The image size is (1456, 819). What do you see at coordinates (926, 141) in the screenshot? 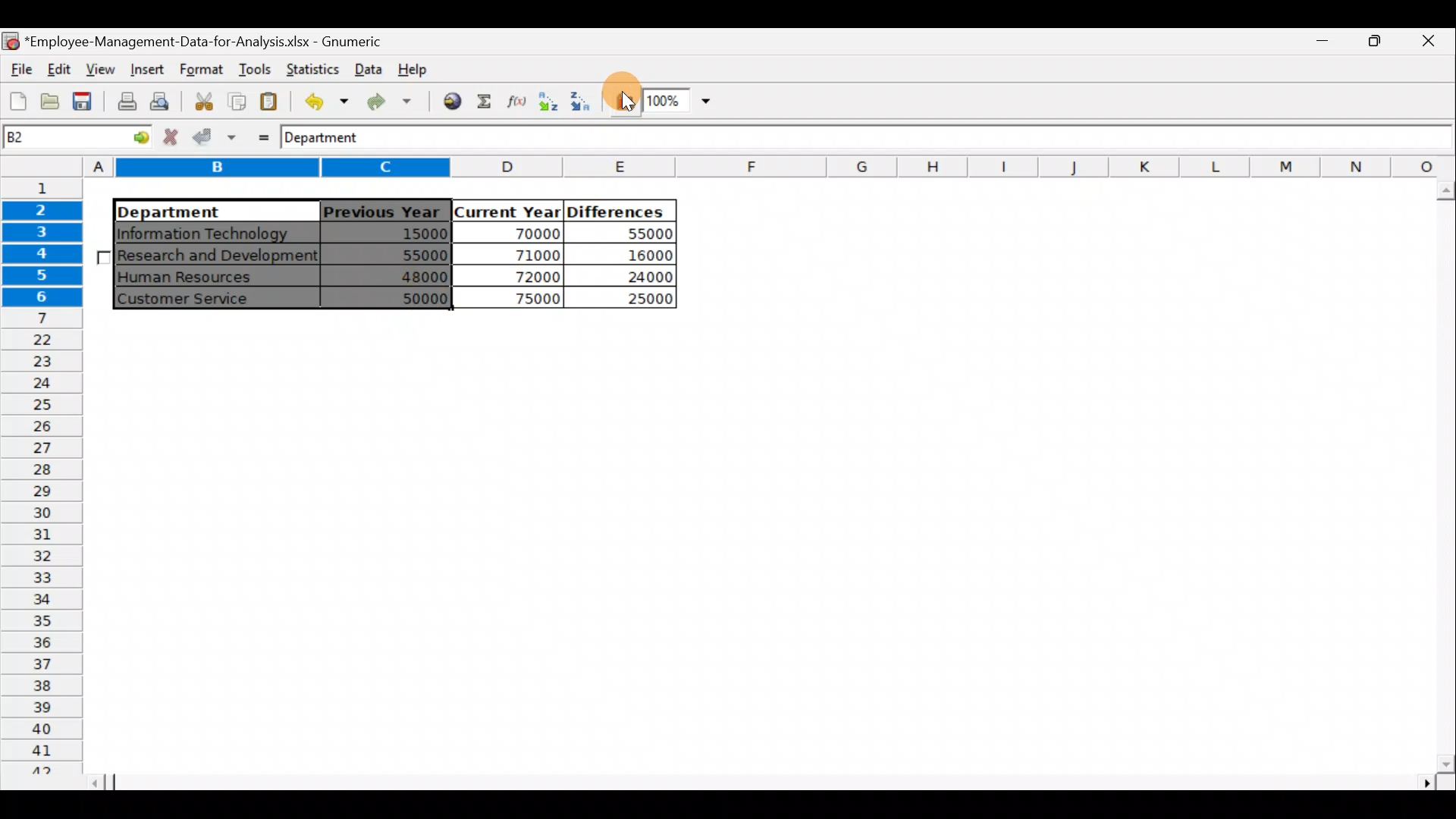
I see `Formula bar` at bounding box center [926, 141].